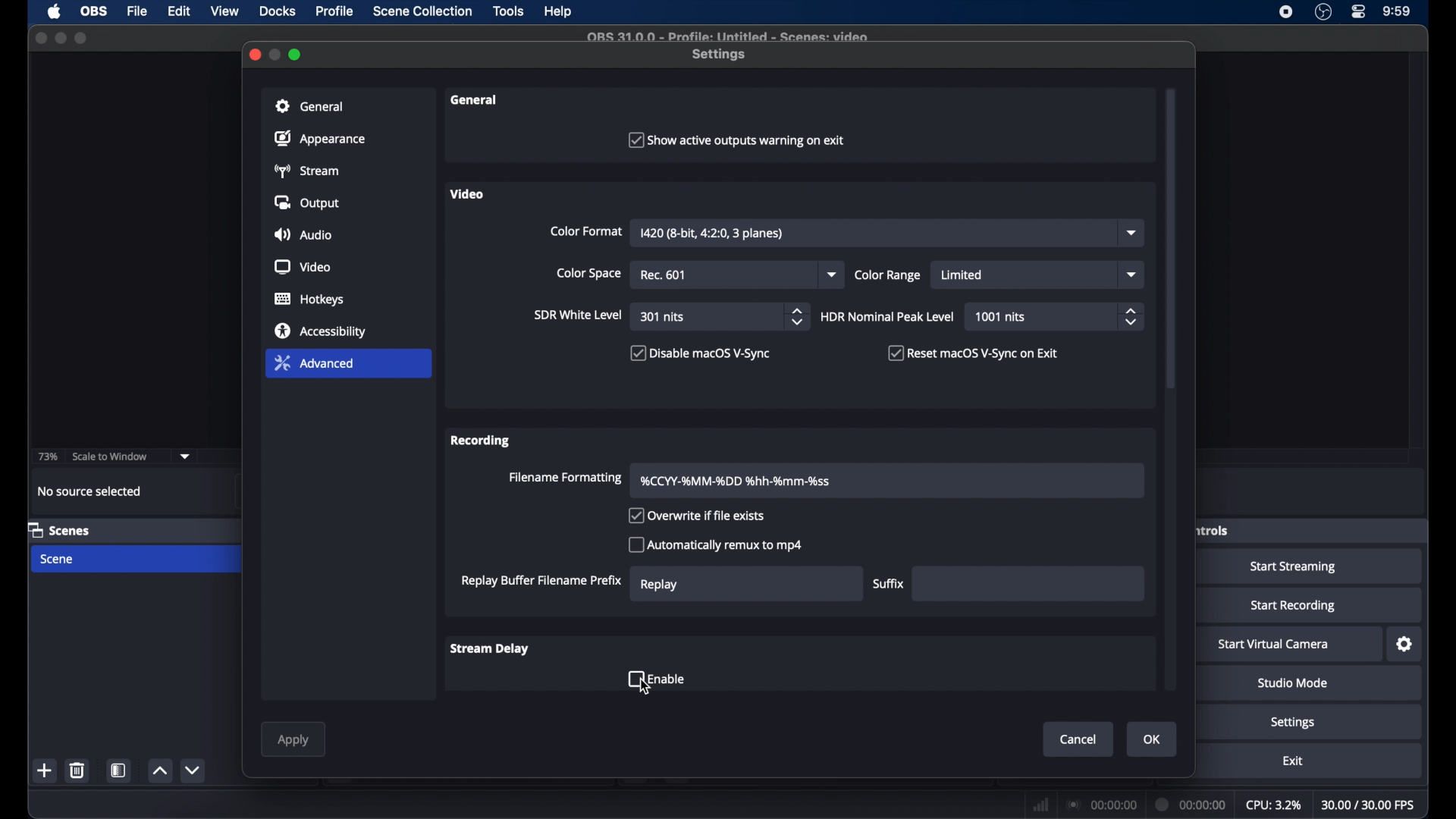  Describe the element at coordinates (1359, 12) in the screenshot. I see `control center` at that location.